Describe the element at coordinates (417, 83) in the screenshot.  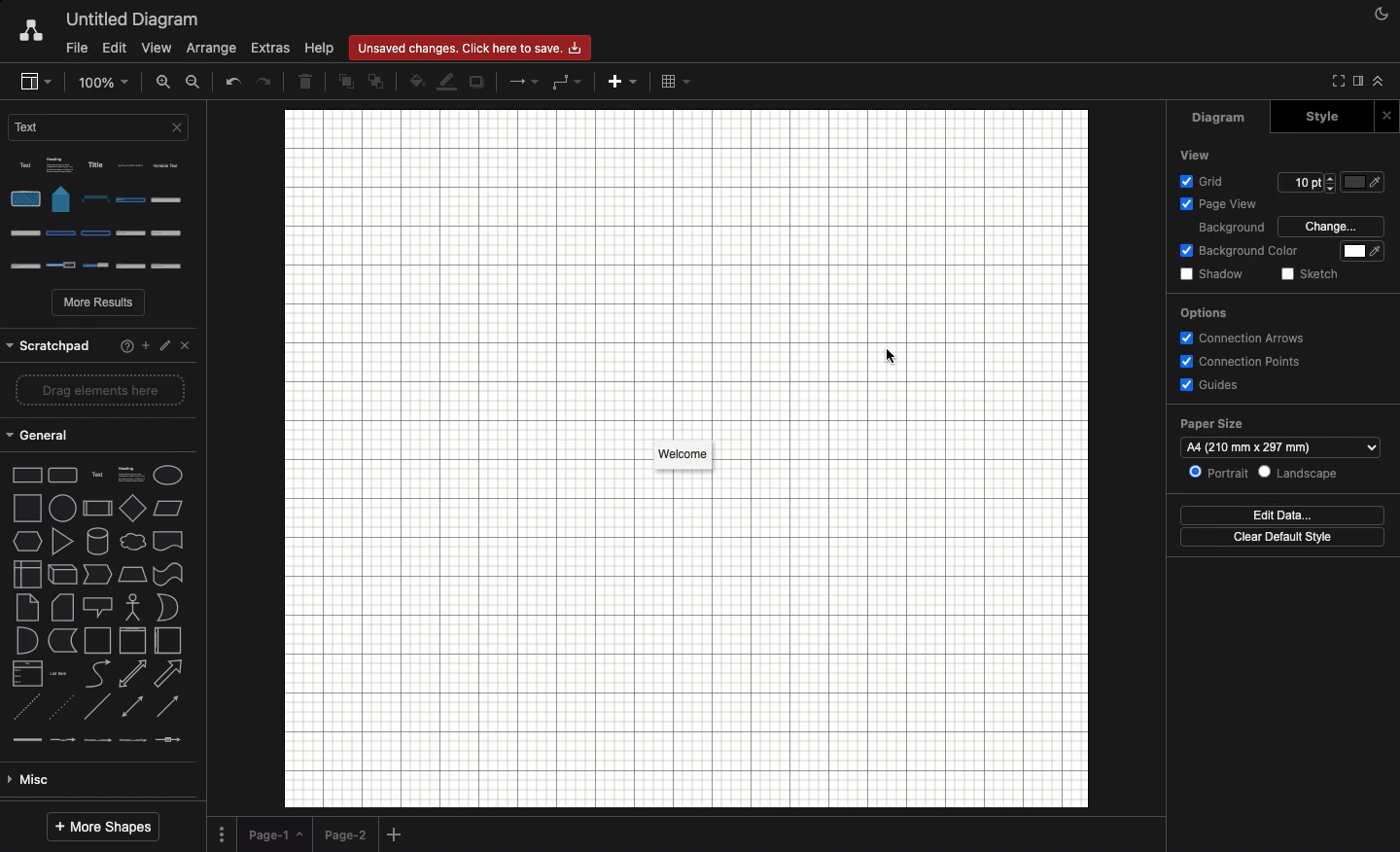
I see `Fill color` at that location.